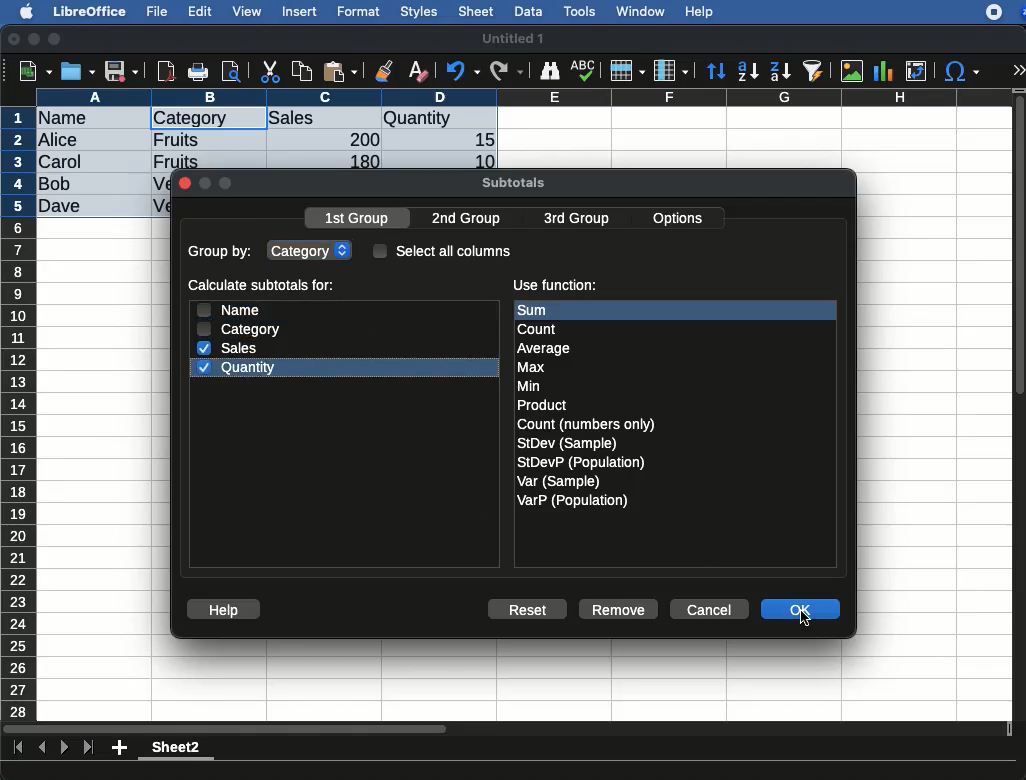 The height and width of the screenshot is (780, 1026). I want to click on new, so click(31, 70).